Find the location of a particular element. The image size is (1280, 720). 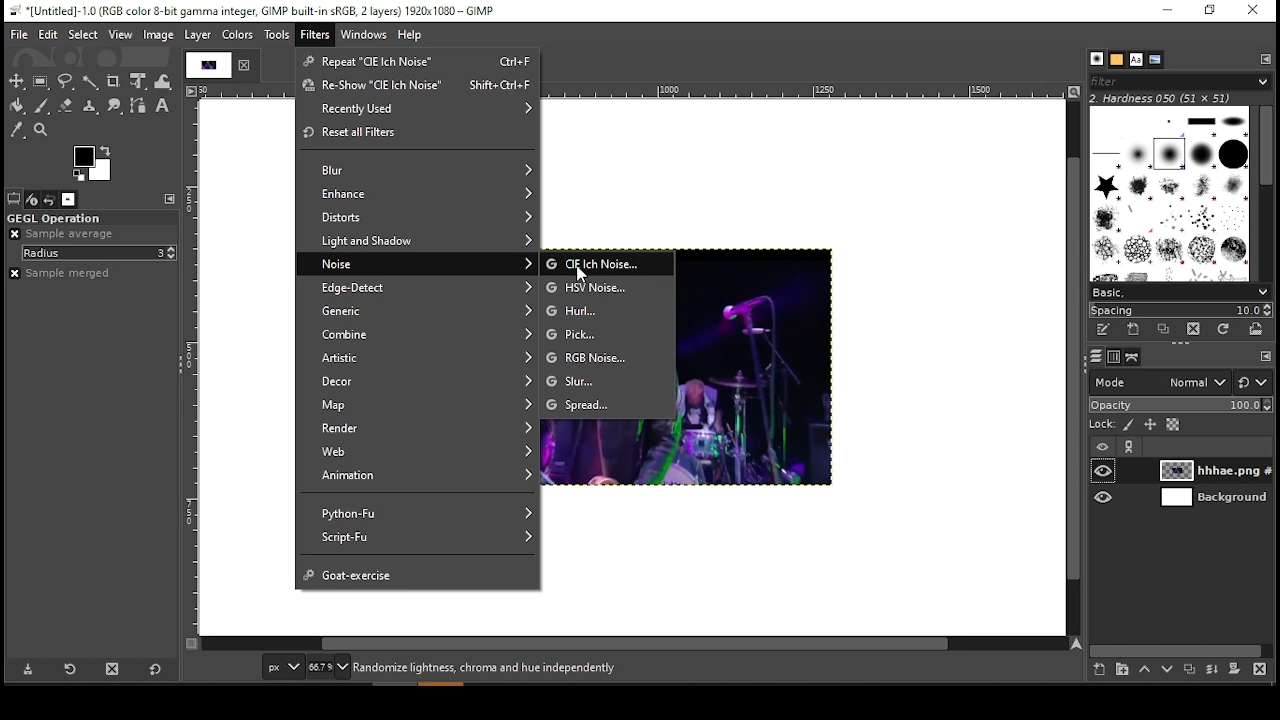

recently used is located at coordinates (418, 110).